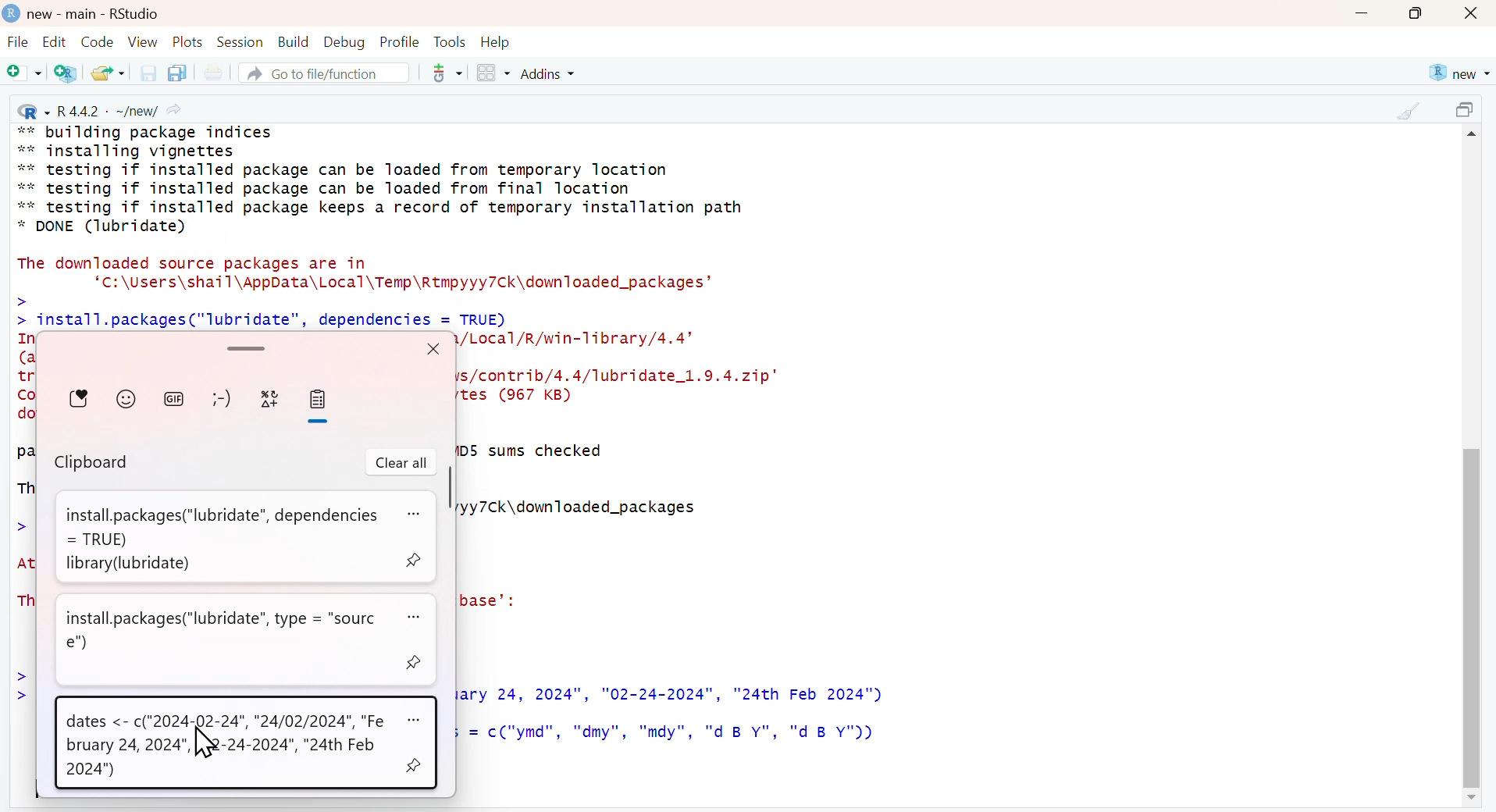 The height and width of the screenshot is (812, 1496). I want to click on pin, so click(417, 663).